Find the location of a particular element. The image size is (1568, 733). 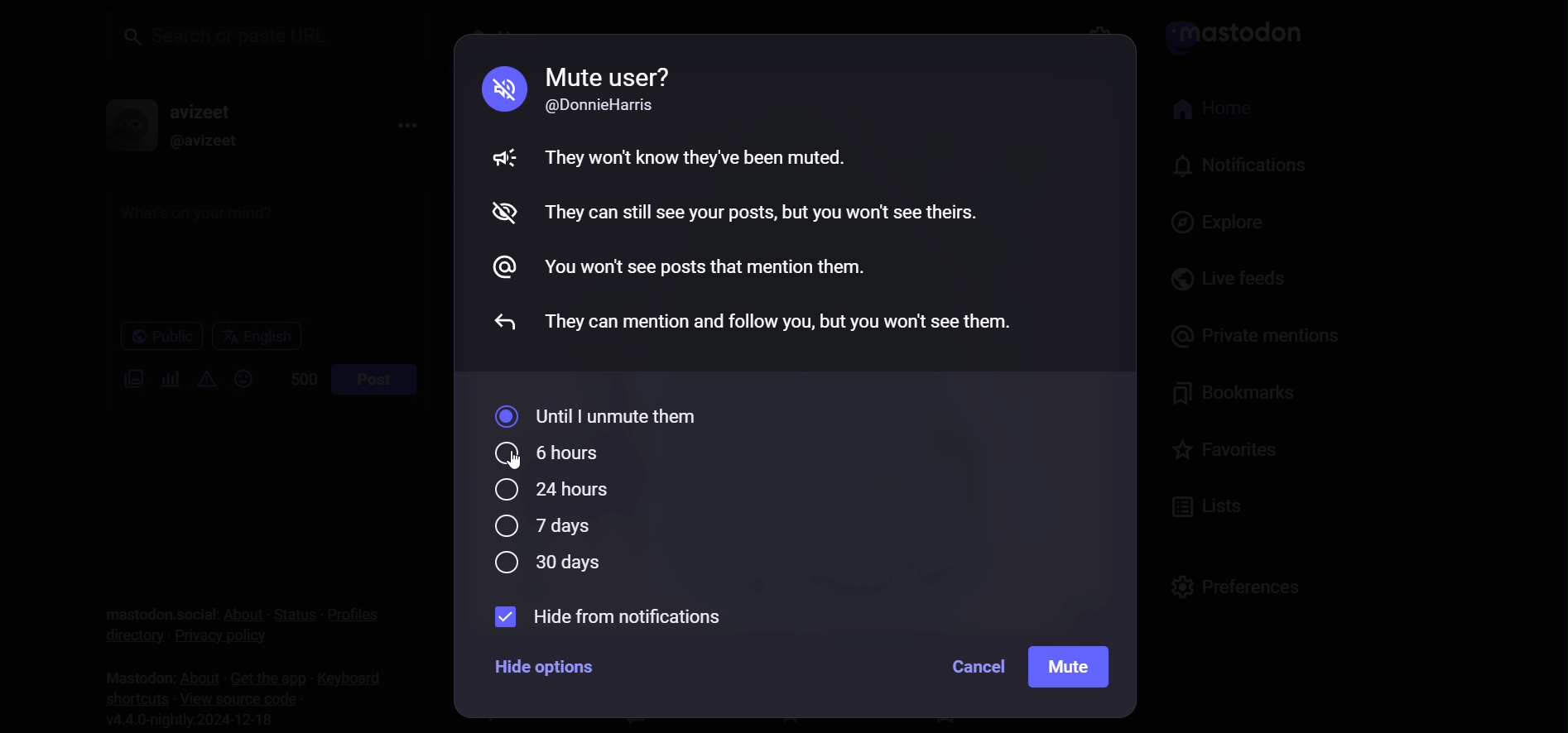

24 hours is located at coordinates (557, 491).